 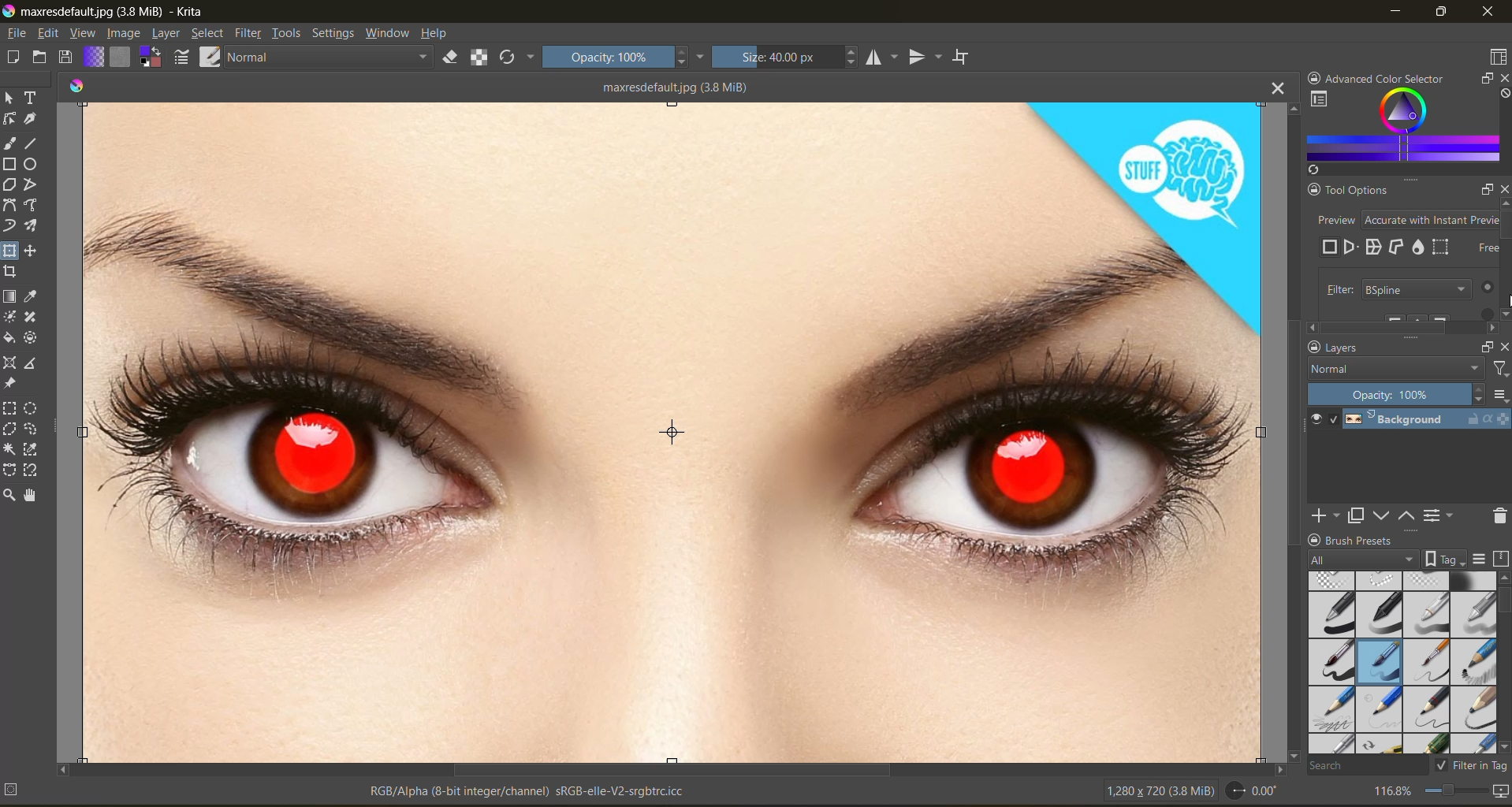 What do you see at coordinates (209, 33) in the screenshot?
I see `select` at bounding box center [209, 33].